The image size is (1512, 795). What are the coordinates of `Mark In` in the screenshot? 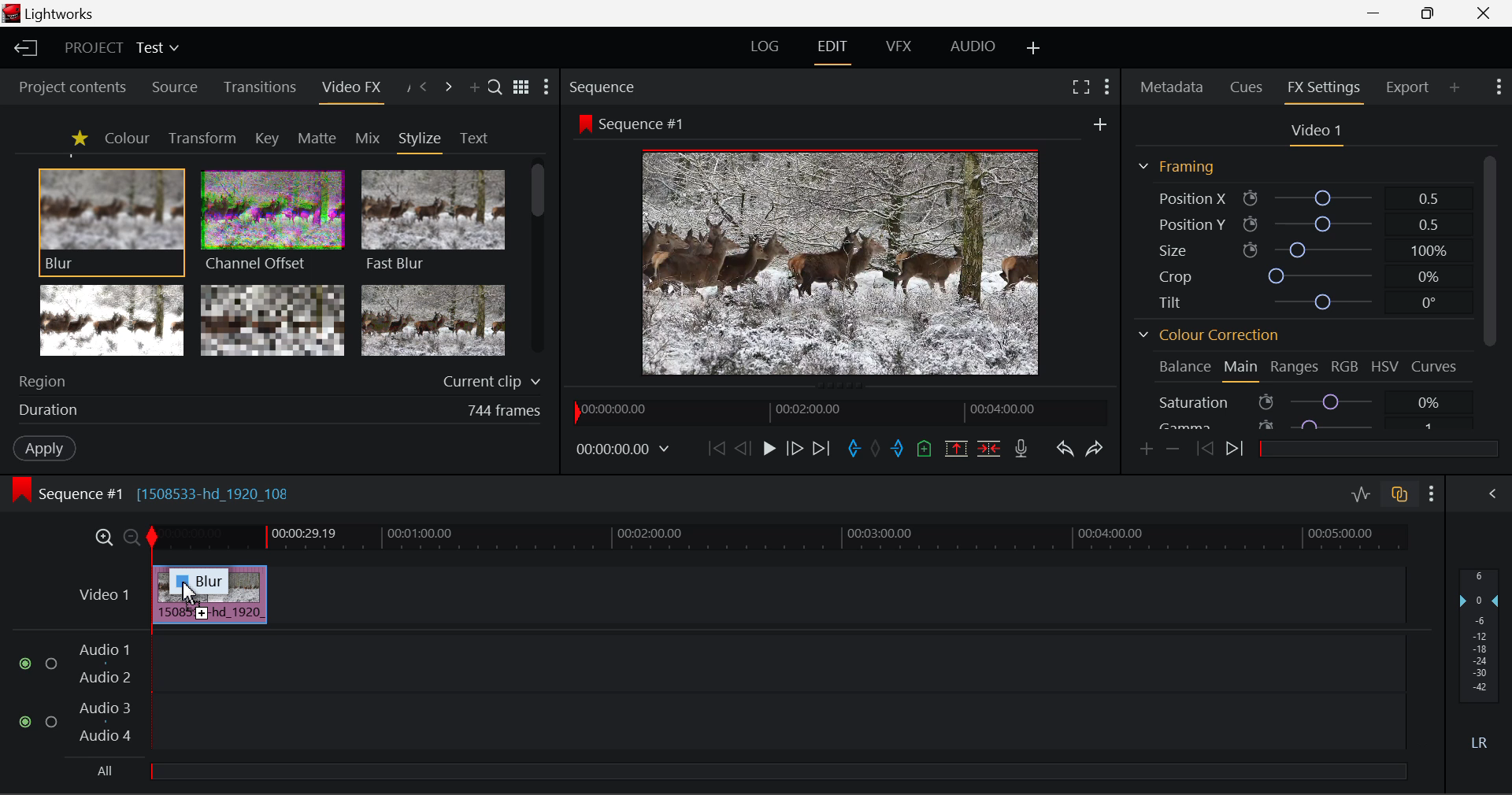 It's located at (852, 446).